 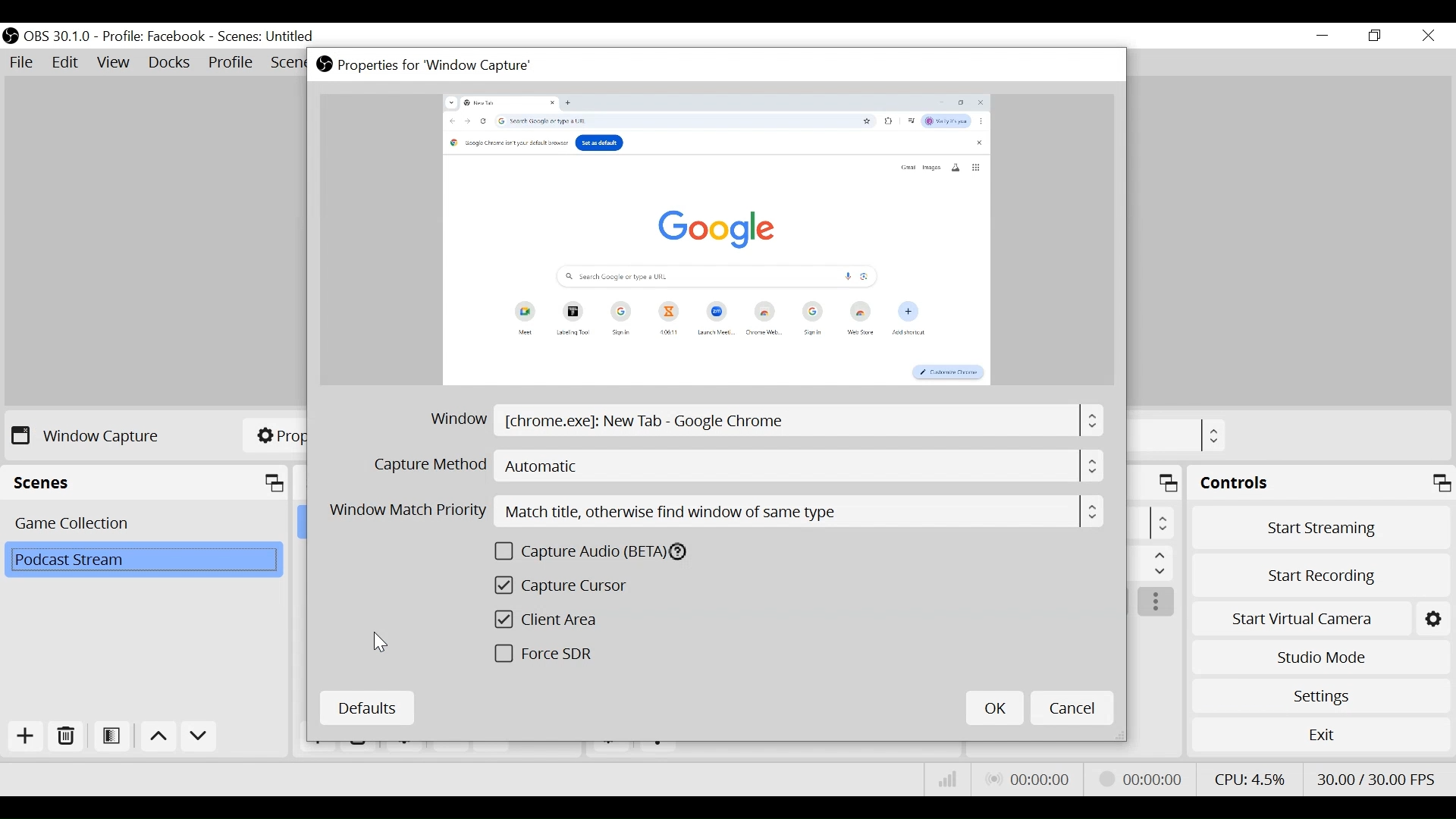 What do you see at coordinates (1321, 736) in the screenshot?
I see `Exit` at bounding box center [1321, 736].